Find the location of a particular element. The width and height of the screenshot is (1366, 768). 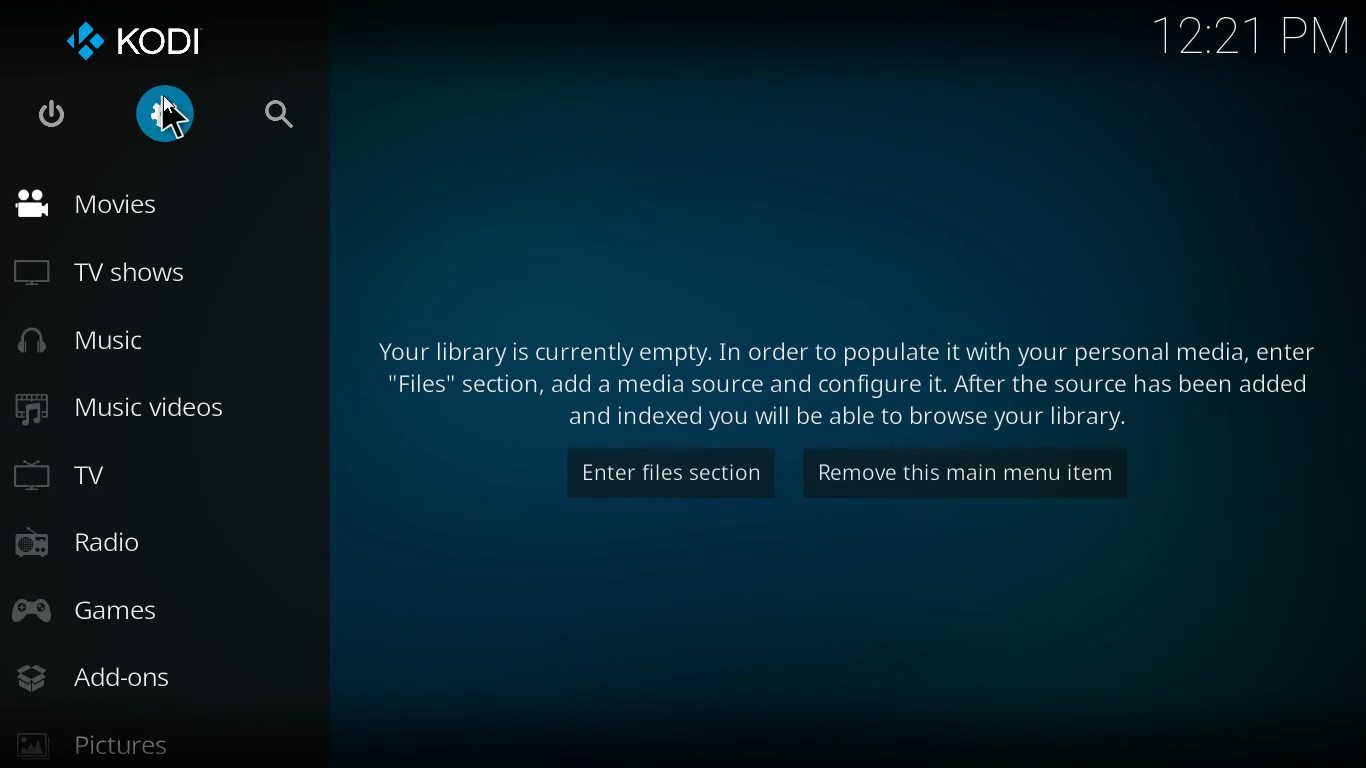

enter files is located at coordinates (670, 472).